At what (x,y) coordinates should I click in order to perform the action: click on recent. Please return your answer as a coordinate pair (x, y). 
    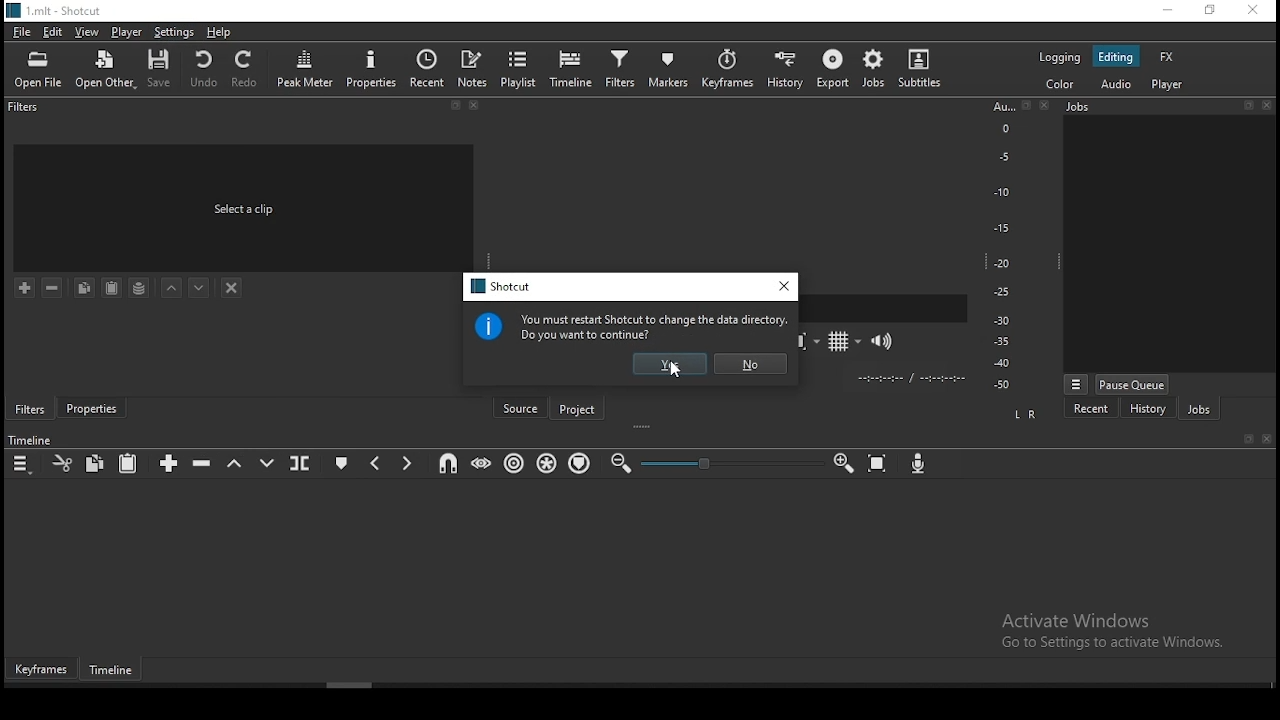
    Looking at the image, I should click on (428, 68).